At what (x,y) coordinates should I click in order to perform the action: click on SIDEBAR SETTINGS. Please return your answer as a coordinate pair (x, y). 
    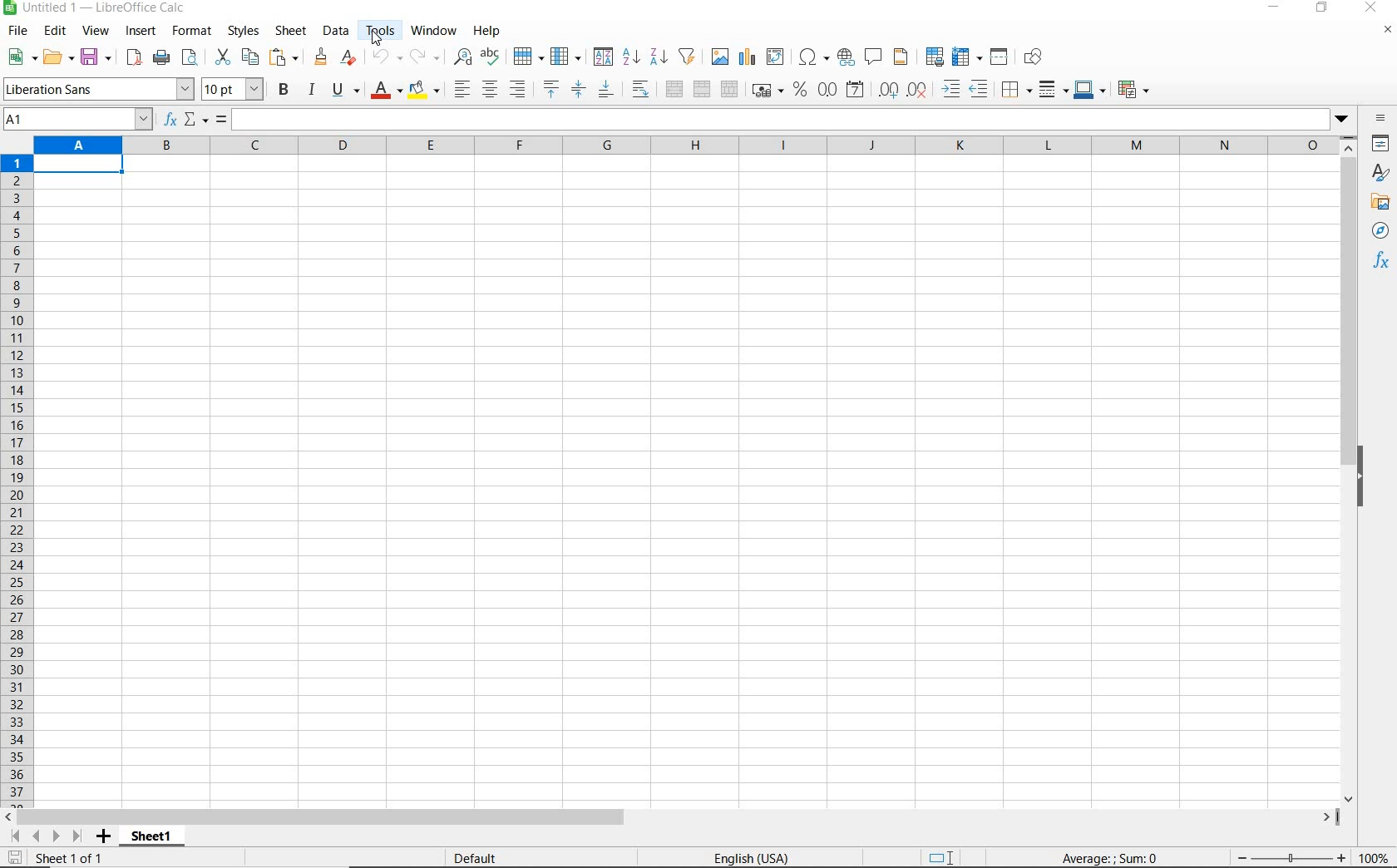
    Looking at the image, I should click on (1382, 120).